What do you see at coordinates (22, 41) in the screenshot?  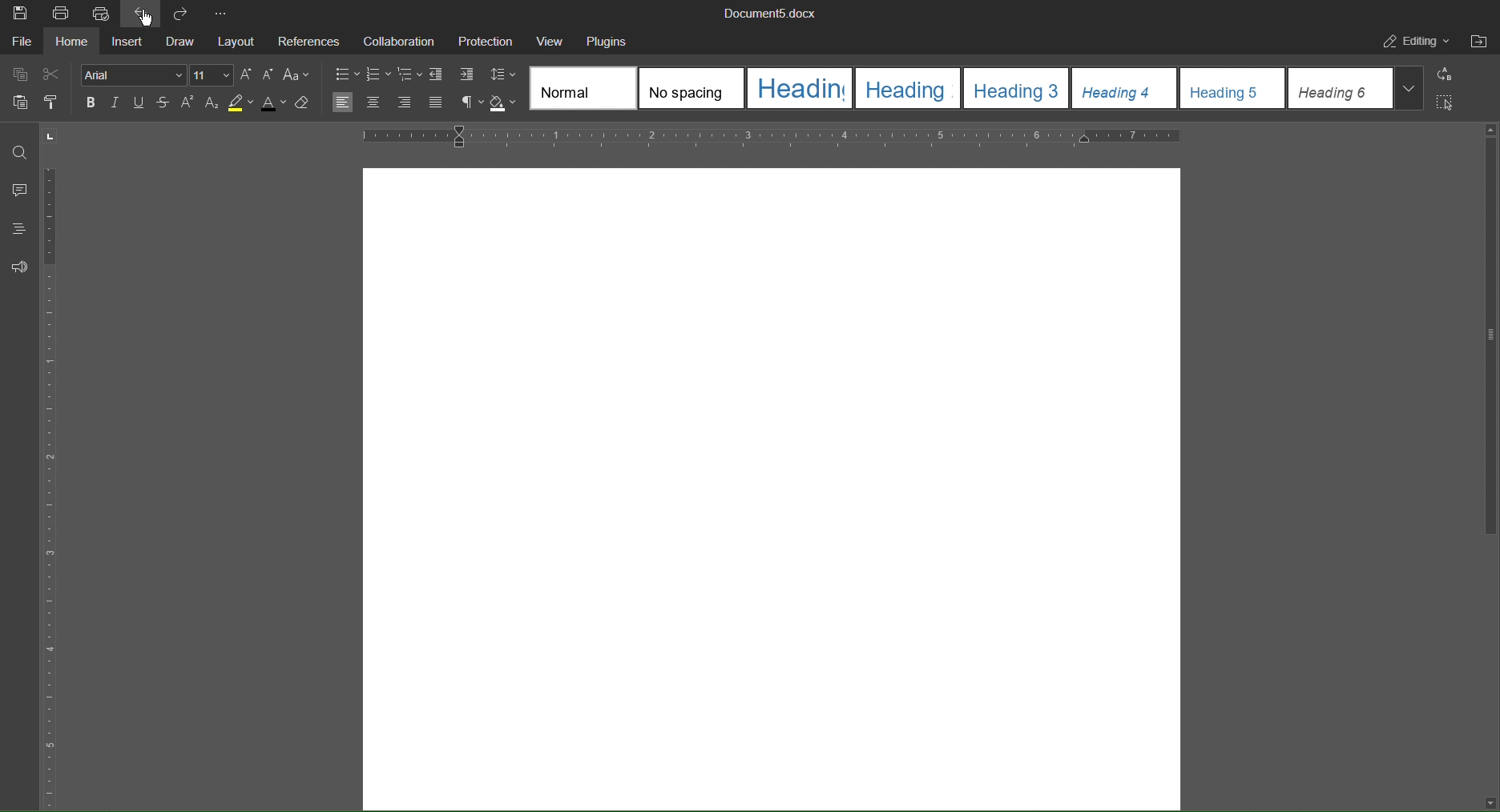 I see `File` at bounding box center [22, 41].